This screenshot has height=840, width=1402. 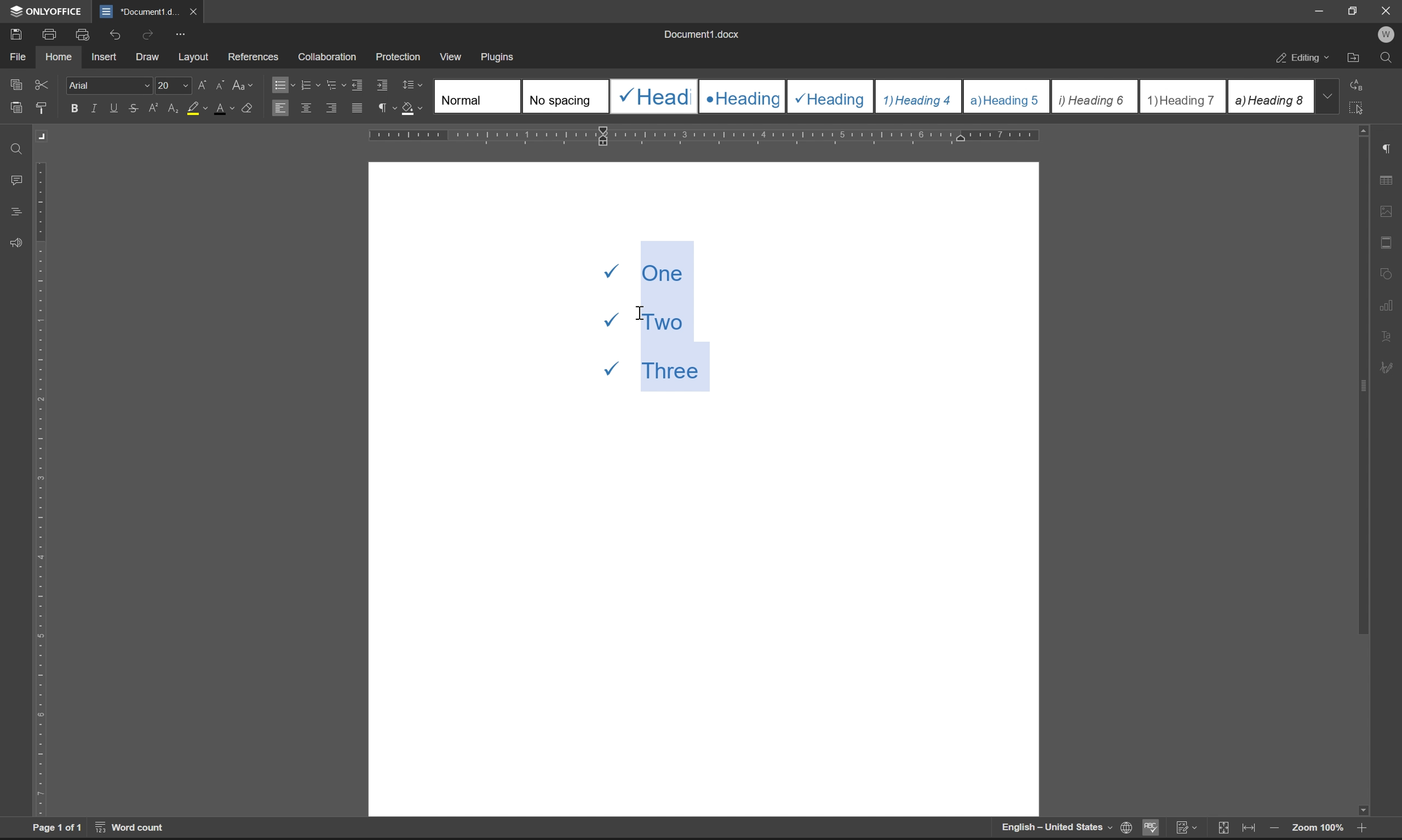 What do you see at coordinates (1386, 242) in the screenshot?
I see `header & footer settings` at bounding box center [1386, 242].